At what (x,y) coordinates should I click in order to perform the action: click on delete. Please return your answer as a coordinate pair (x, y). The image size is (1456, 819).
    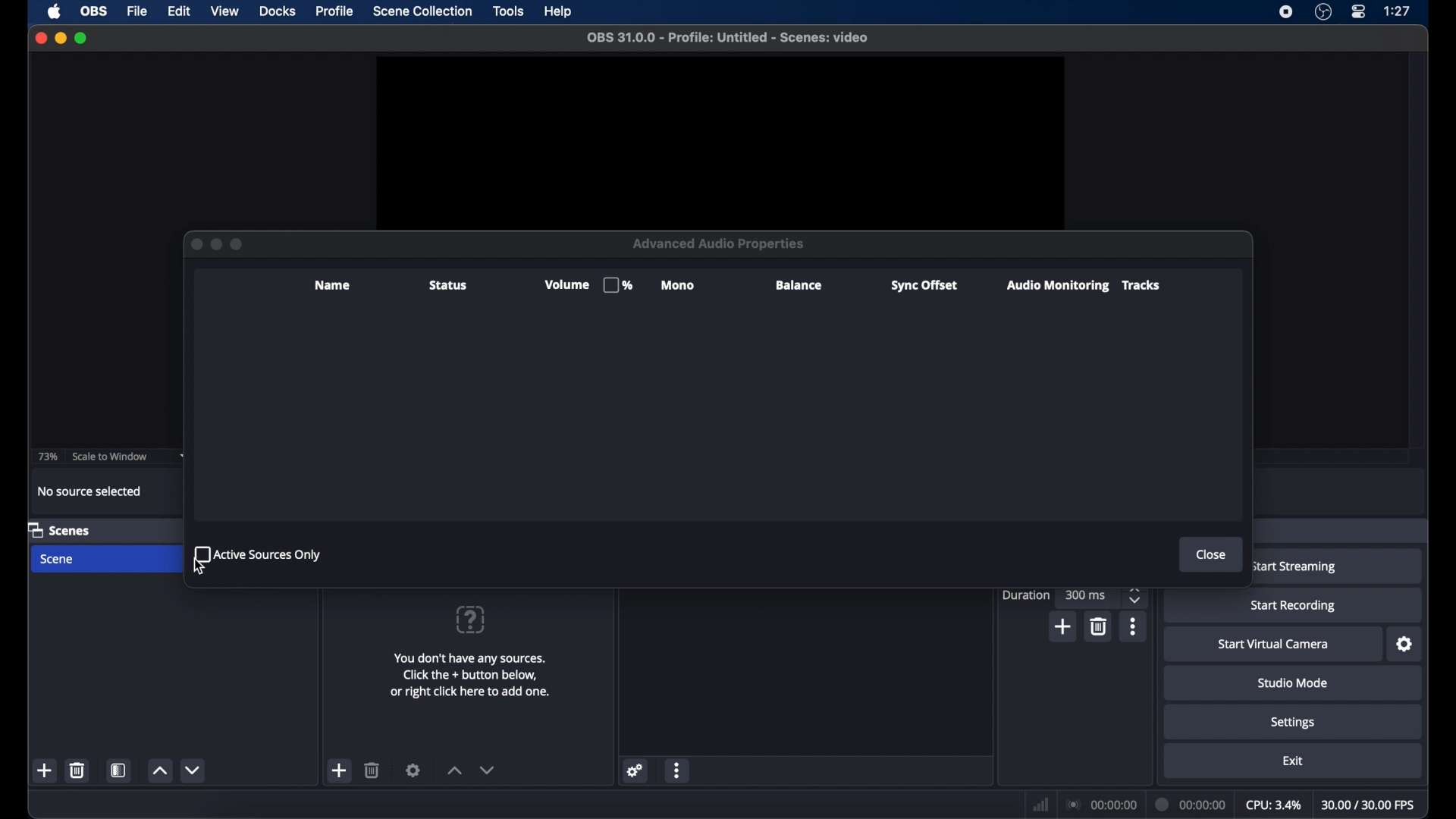
    Looking at the image, I should click on (78, 770).